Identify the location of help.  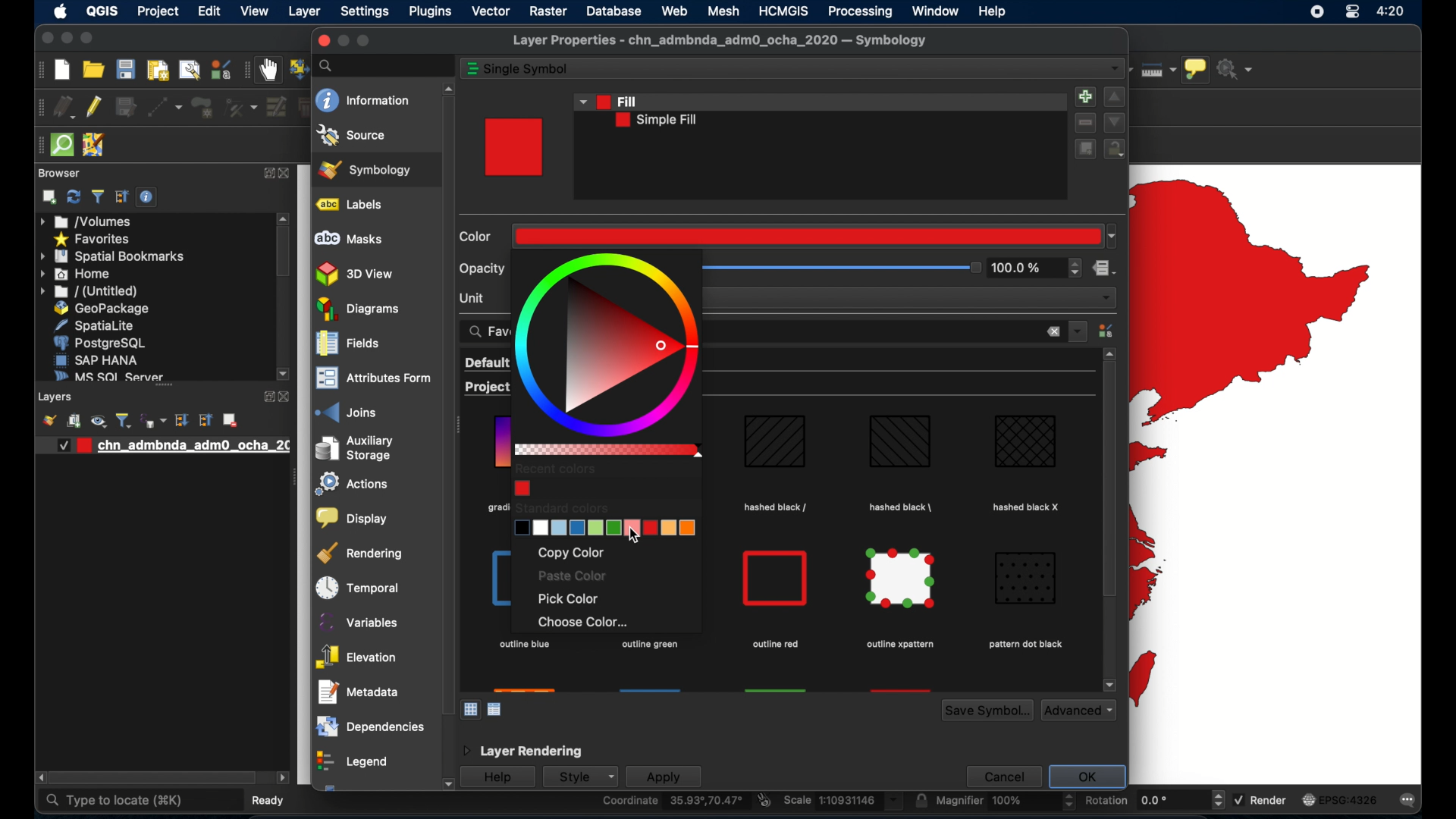
(497, 778).